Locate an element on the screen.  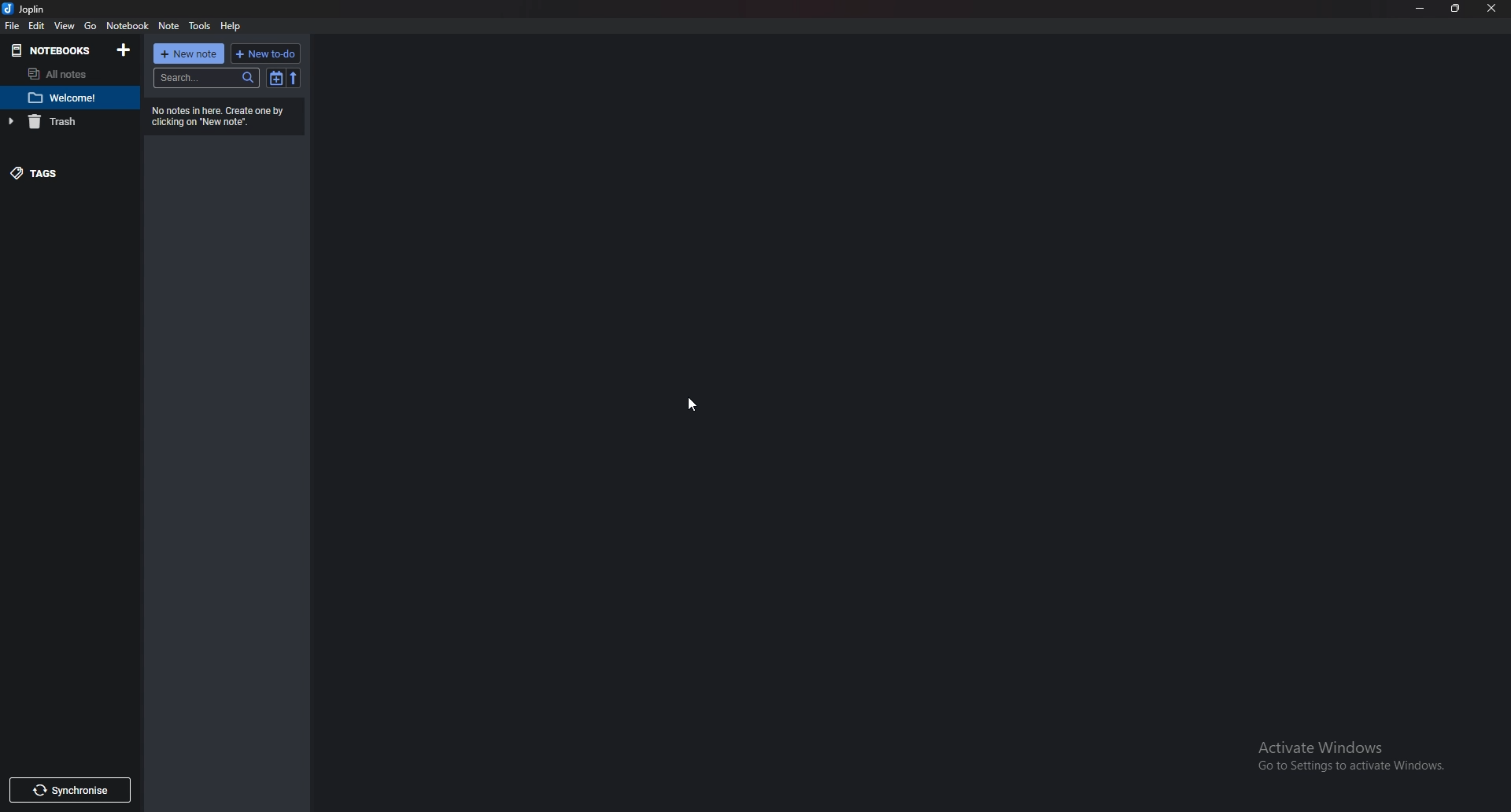
New note is located at coordinates (190, 54).